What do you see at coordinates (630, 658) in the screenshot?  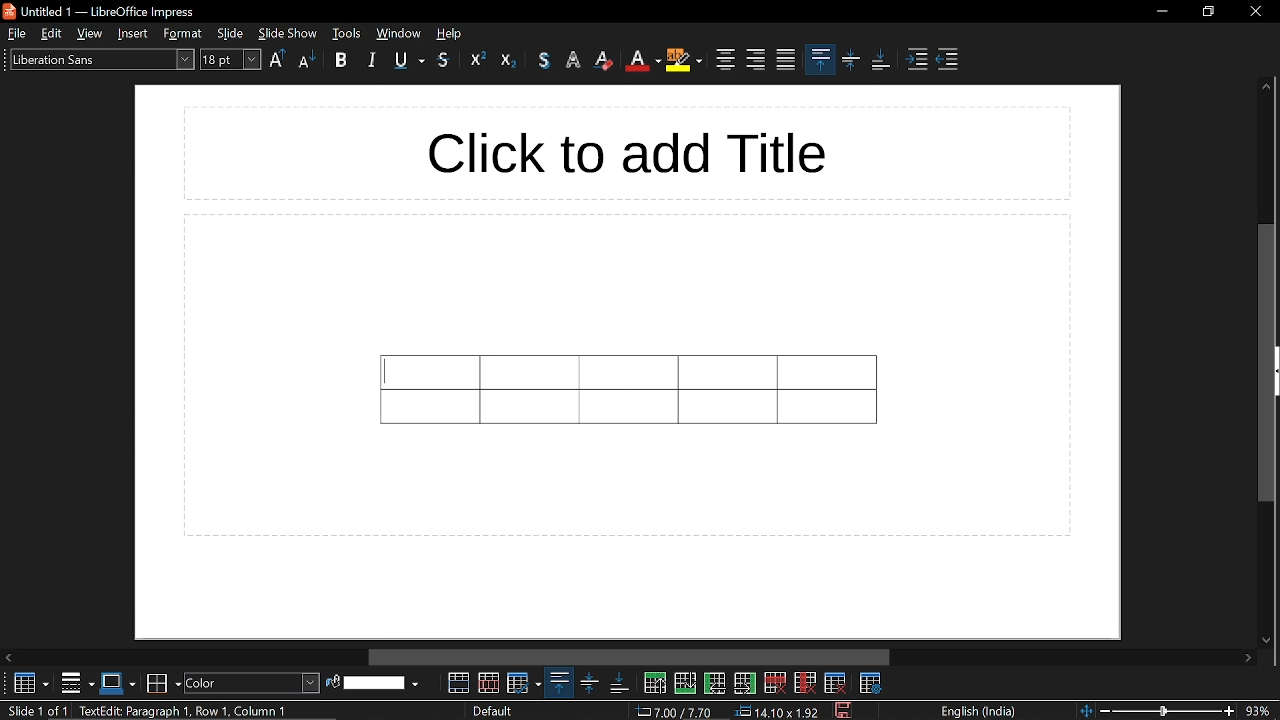 I see `move right` at bounding box center [630, 658].